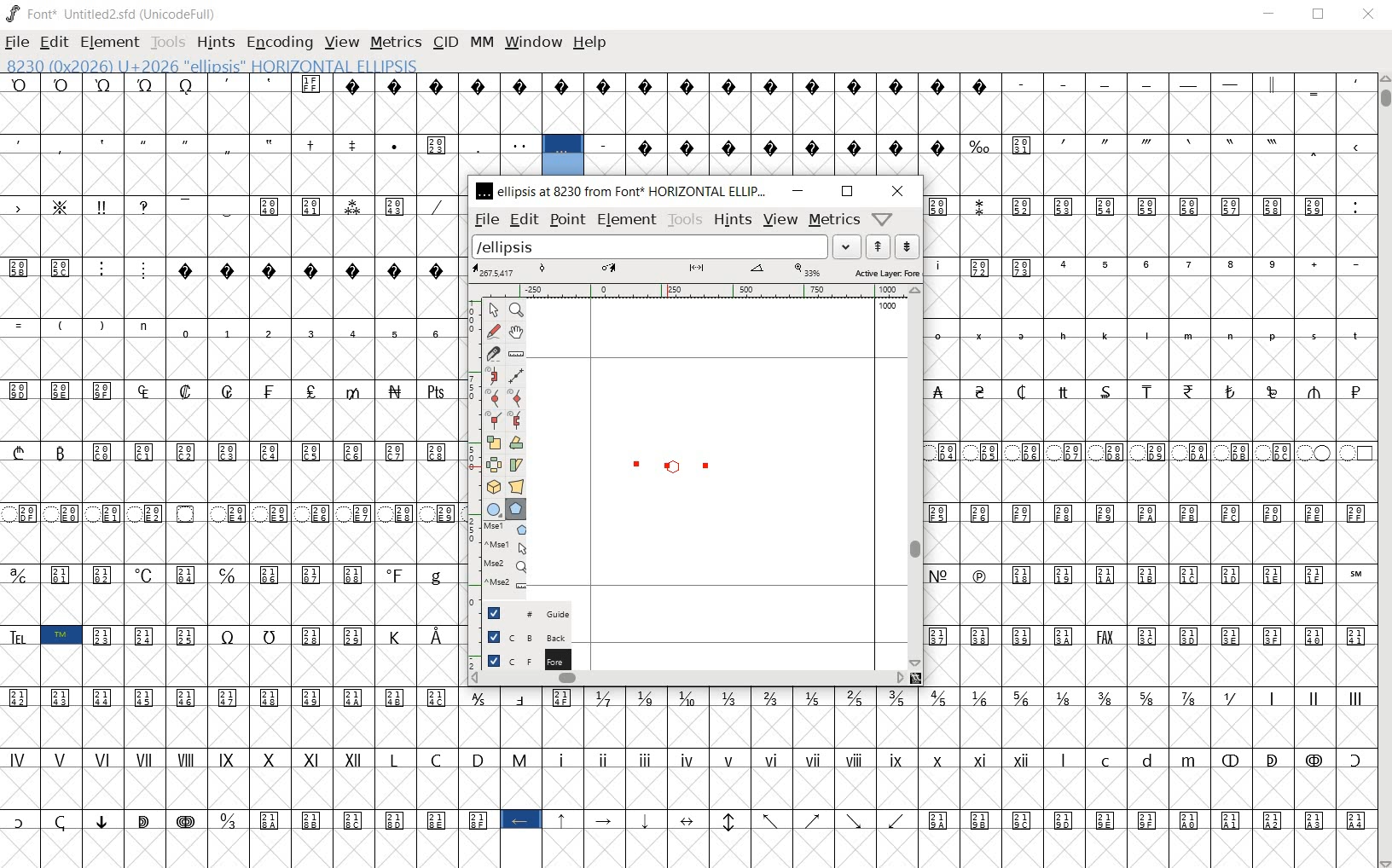 The height and width of the screenshot is (868, 1392). I want to click on skew the selection, so click(518, 465).